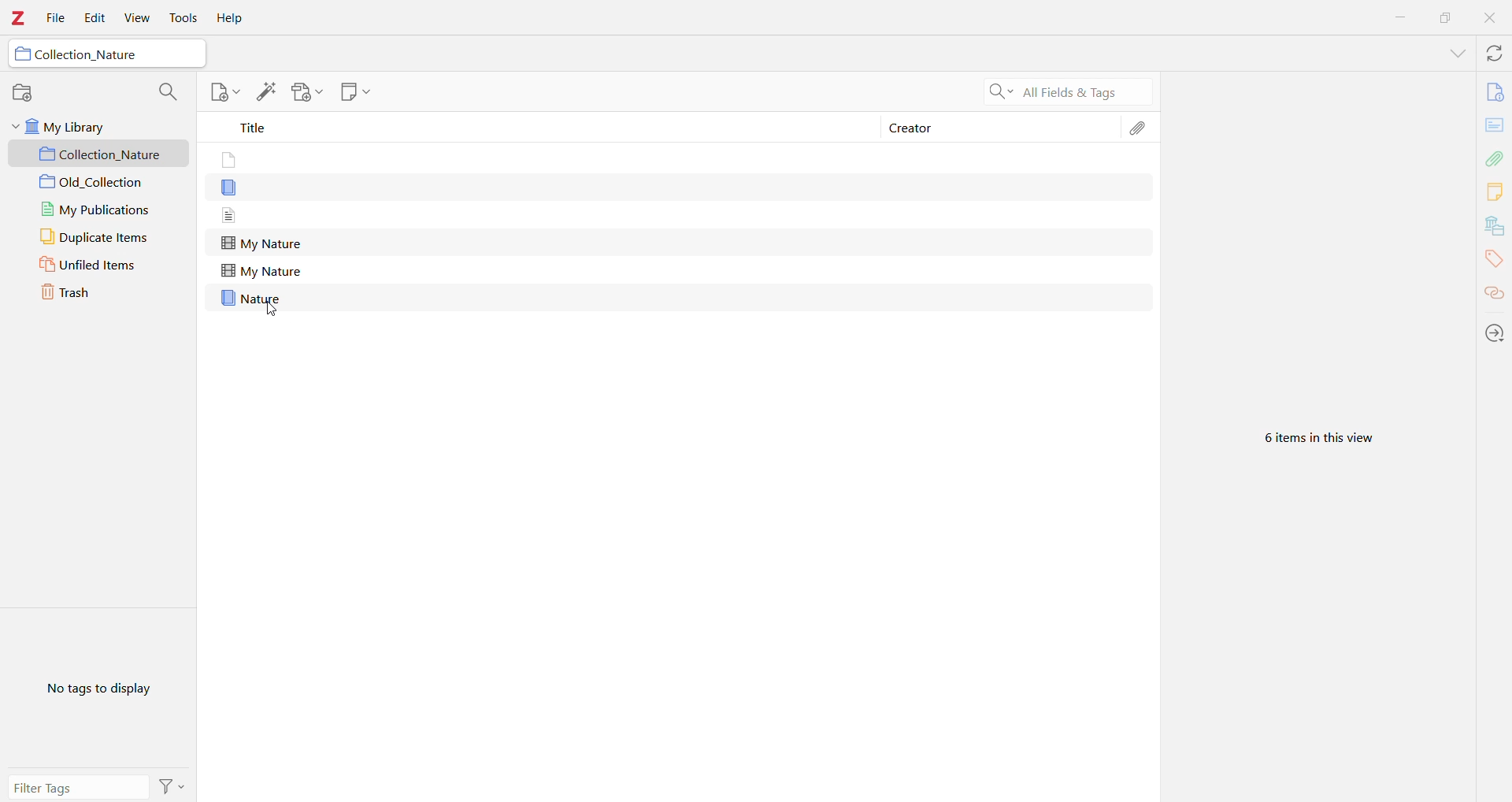  What do you see at coordinates (100, 183) in the screenshot?
I see `Old_Collection` at bounding box center [100, 183].